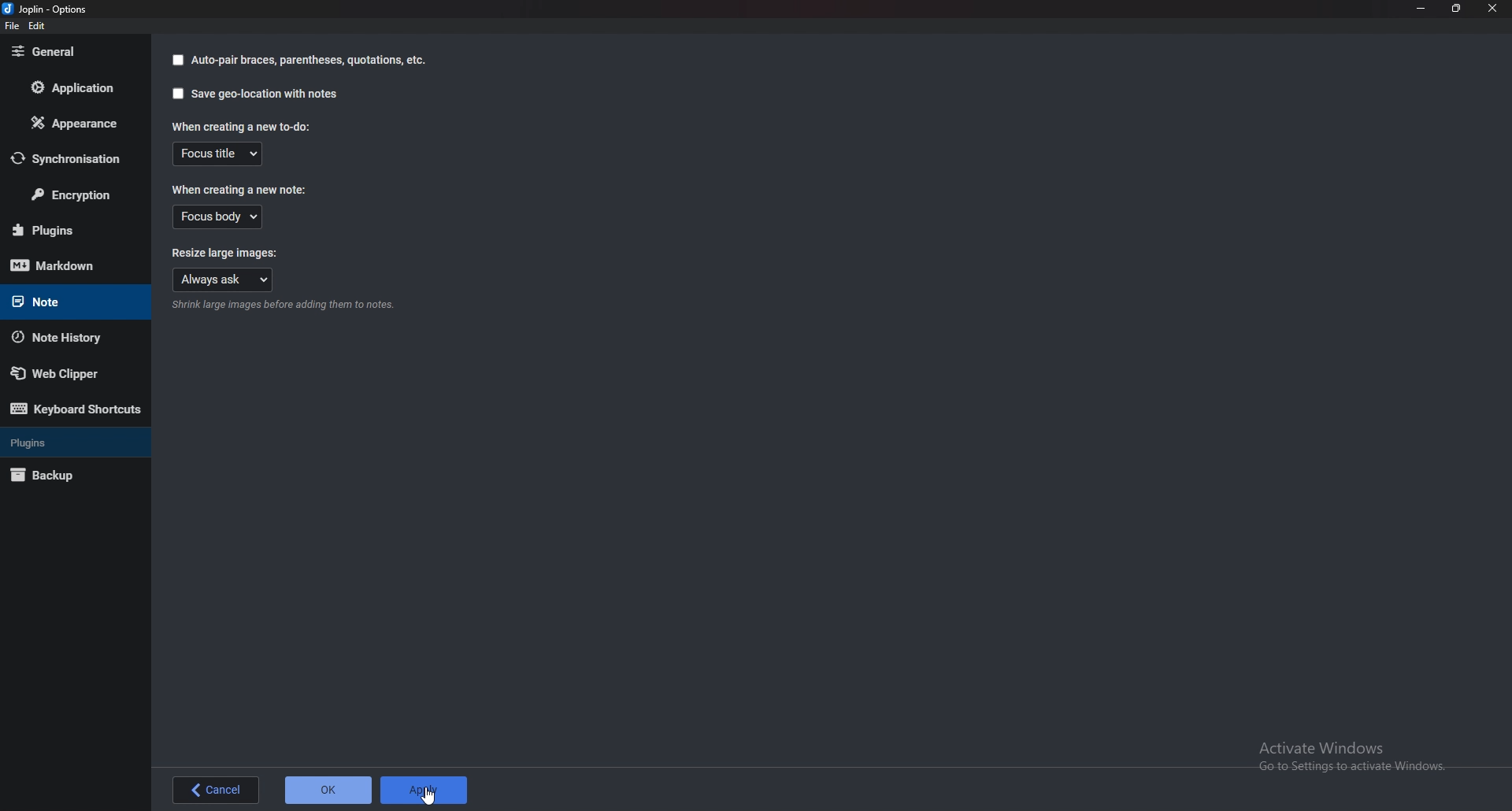 This screenshot has height=811, width=1512. What do you see at coordinates (1495, 10) in the screenshot?
I see `close` at bounding box center [1495, 10].